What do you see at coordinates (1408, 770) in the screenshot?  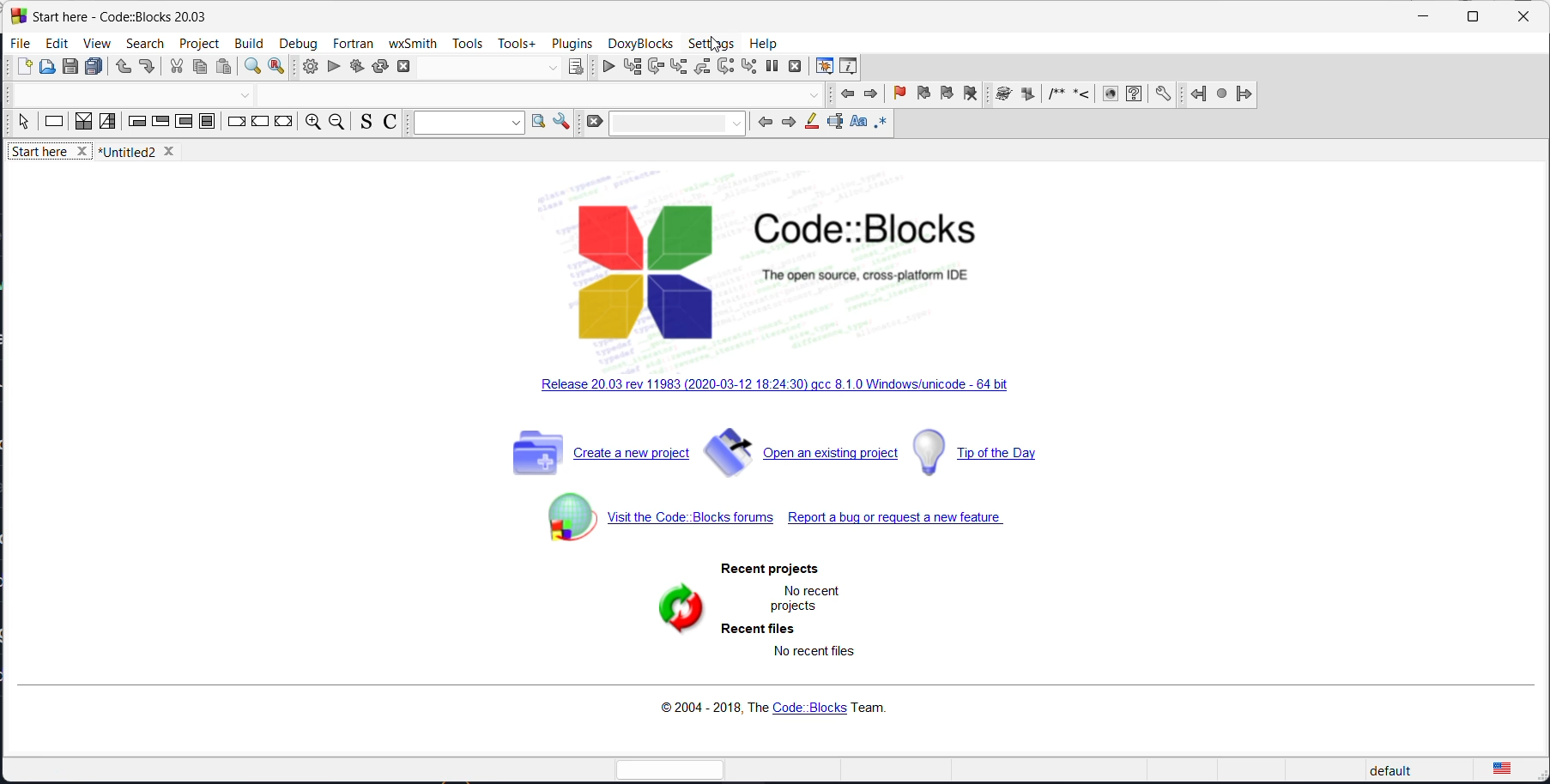 I see `default` at bounding box center [1408, 770].